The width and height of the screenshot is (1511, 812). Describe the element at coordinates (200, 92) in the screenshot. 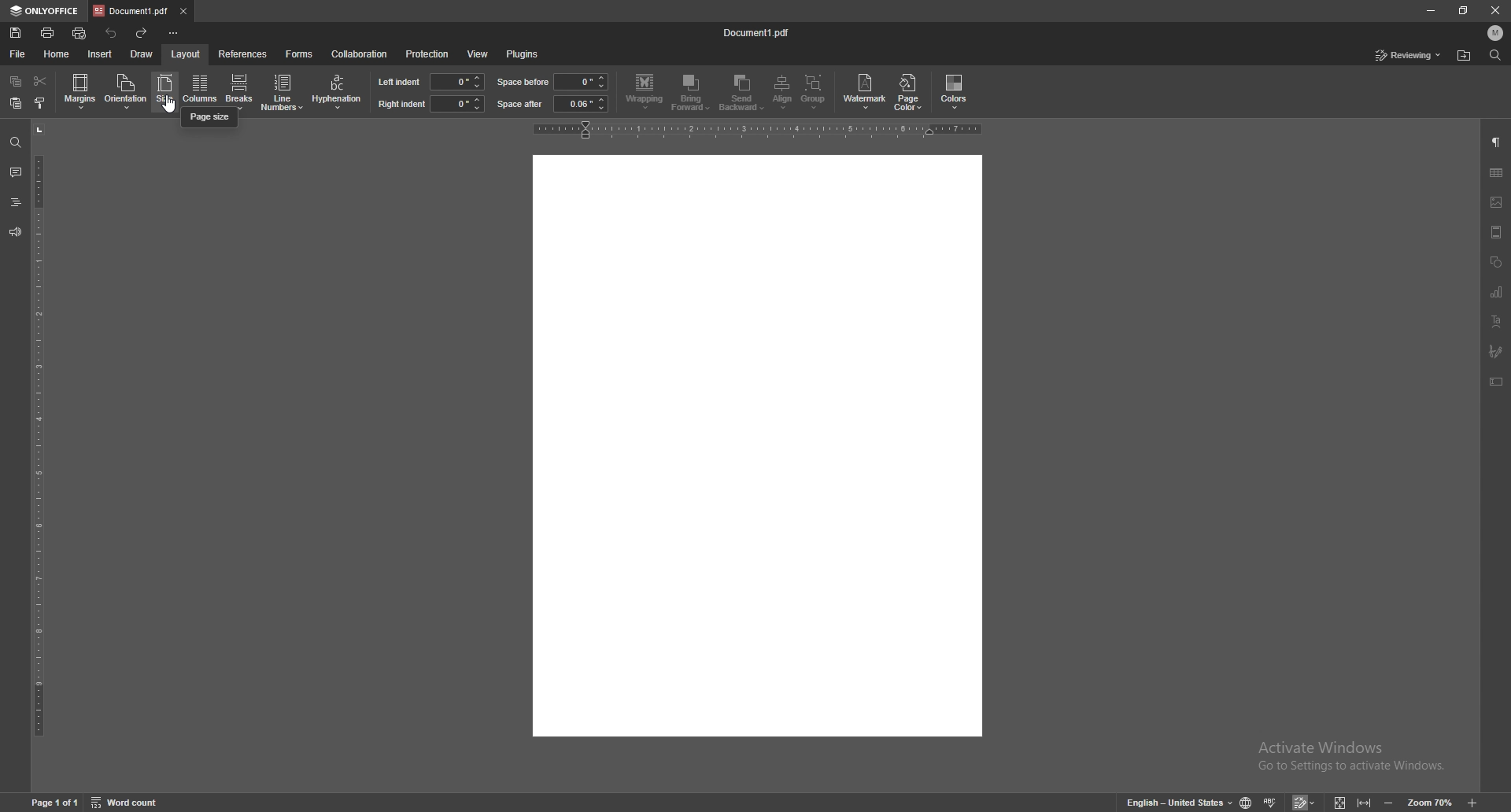

I see `columns` at that location.